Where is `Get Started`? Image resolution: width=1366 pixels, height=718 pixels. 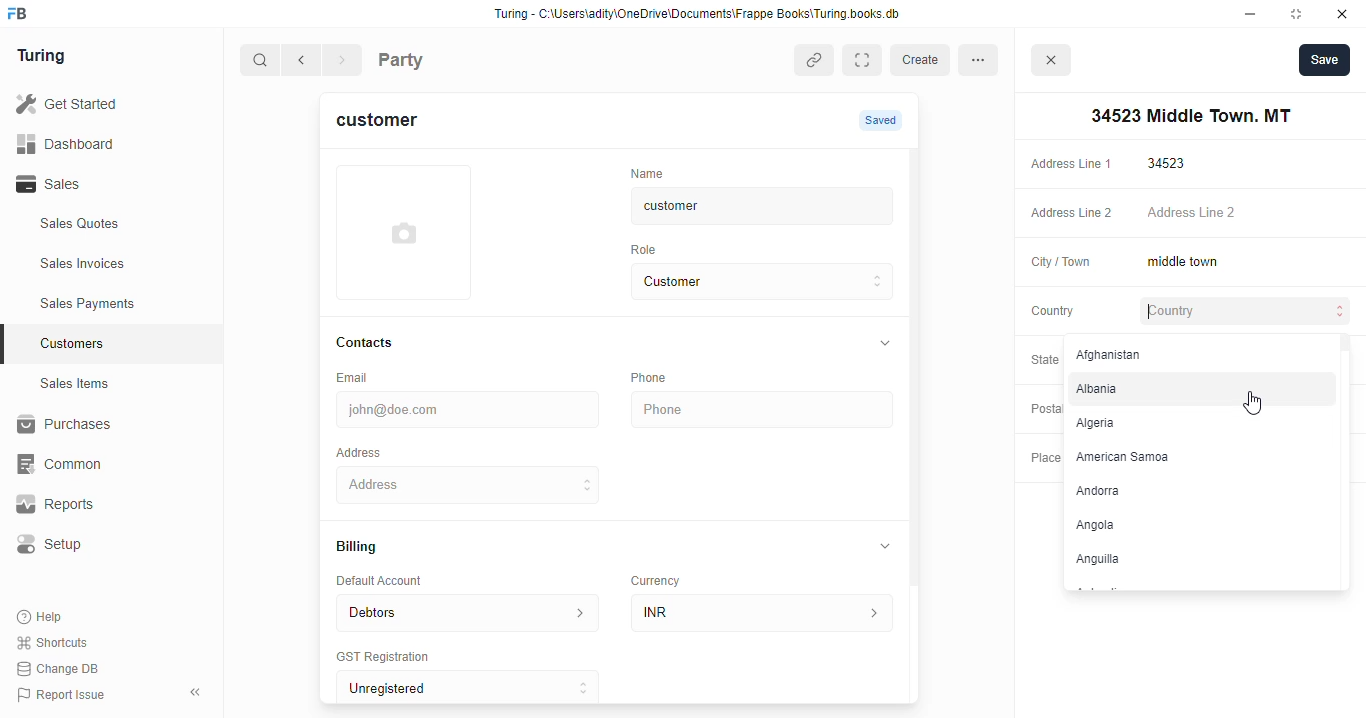 Get Started is located at coordinates (93, 105).